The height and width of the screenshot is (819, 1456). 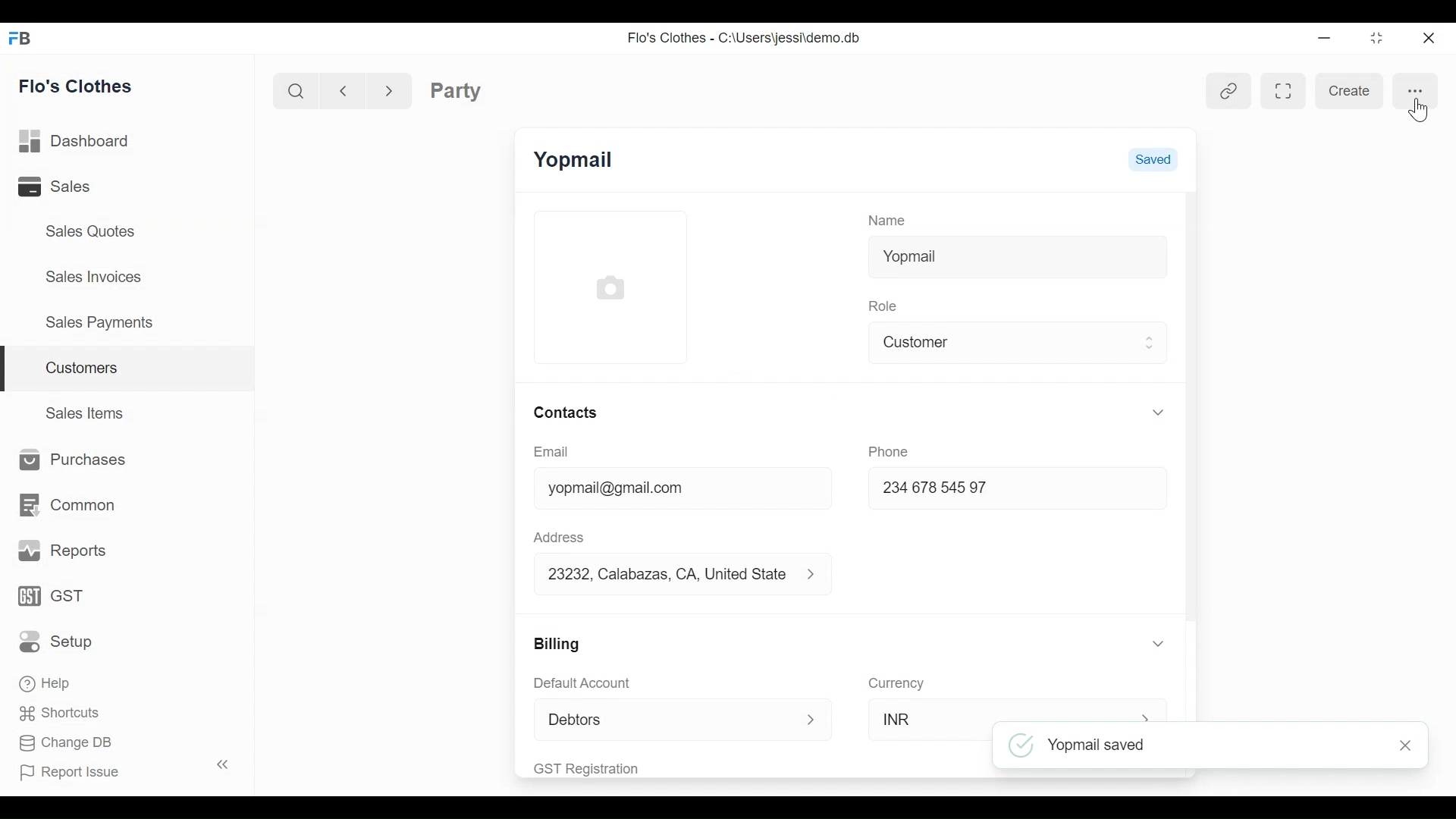 I want to click on create, so click(x=1348, y=92).